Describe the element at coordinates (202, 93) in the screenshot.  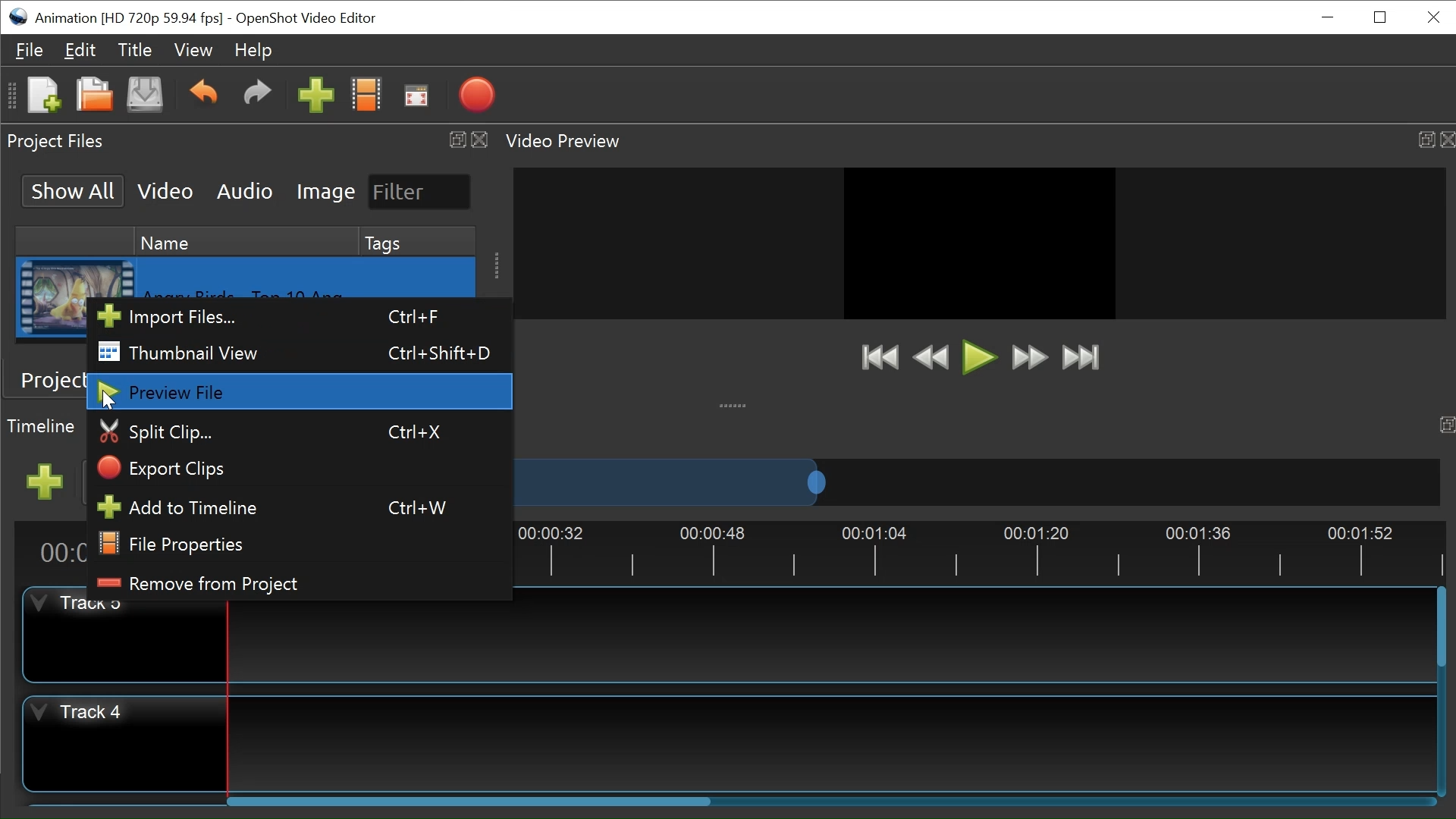
I see `Undo` at that location.